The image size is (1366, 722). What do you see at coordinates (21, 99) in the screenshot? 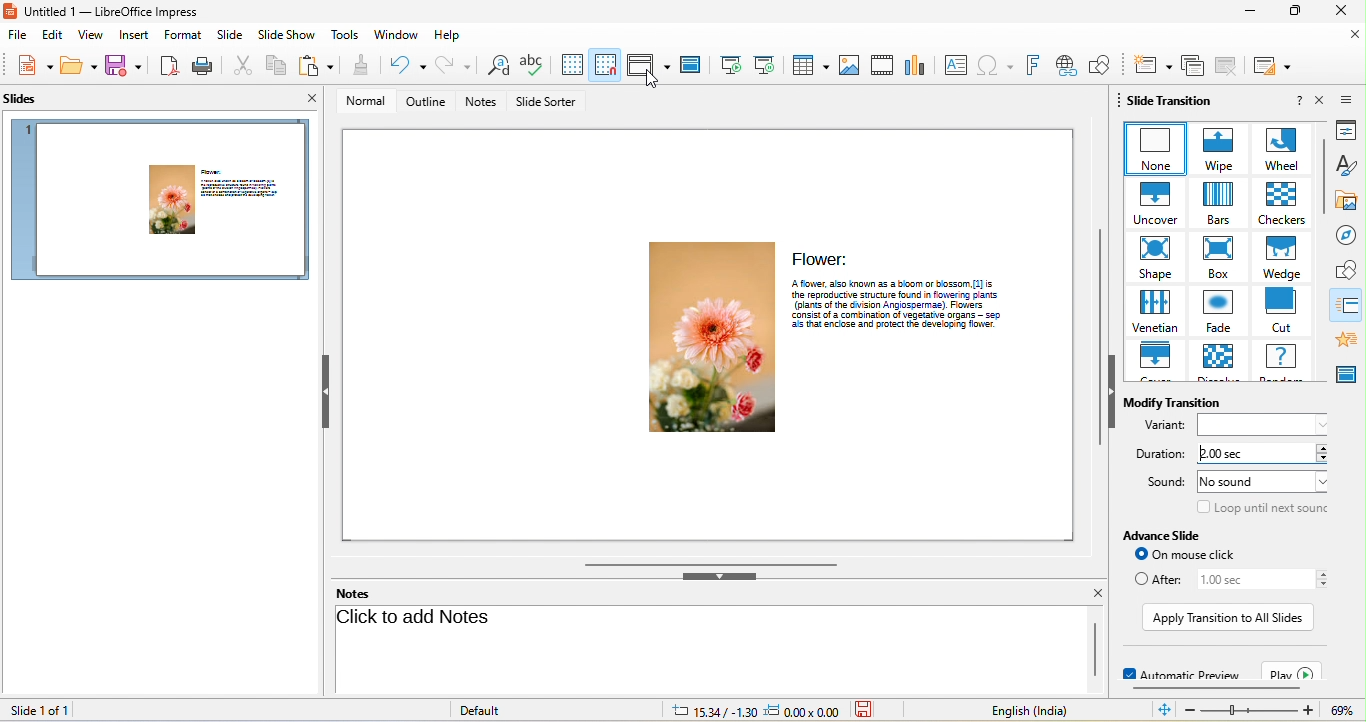
I see `slides` at bounding box center [21, 99].